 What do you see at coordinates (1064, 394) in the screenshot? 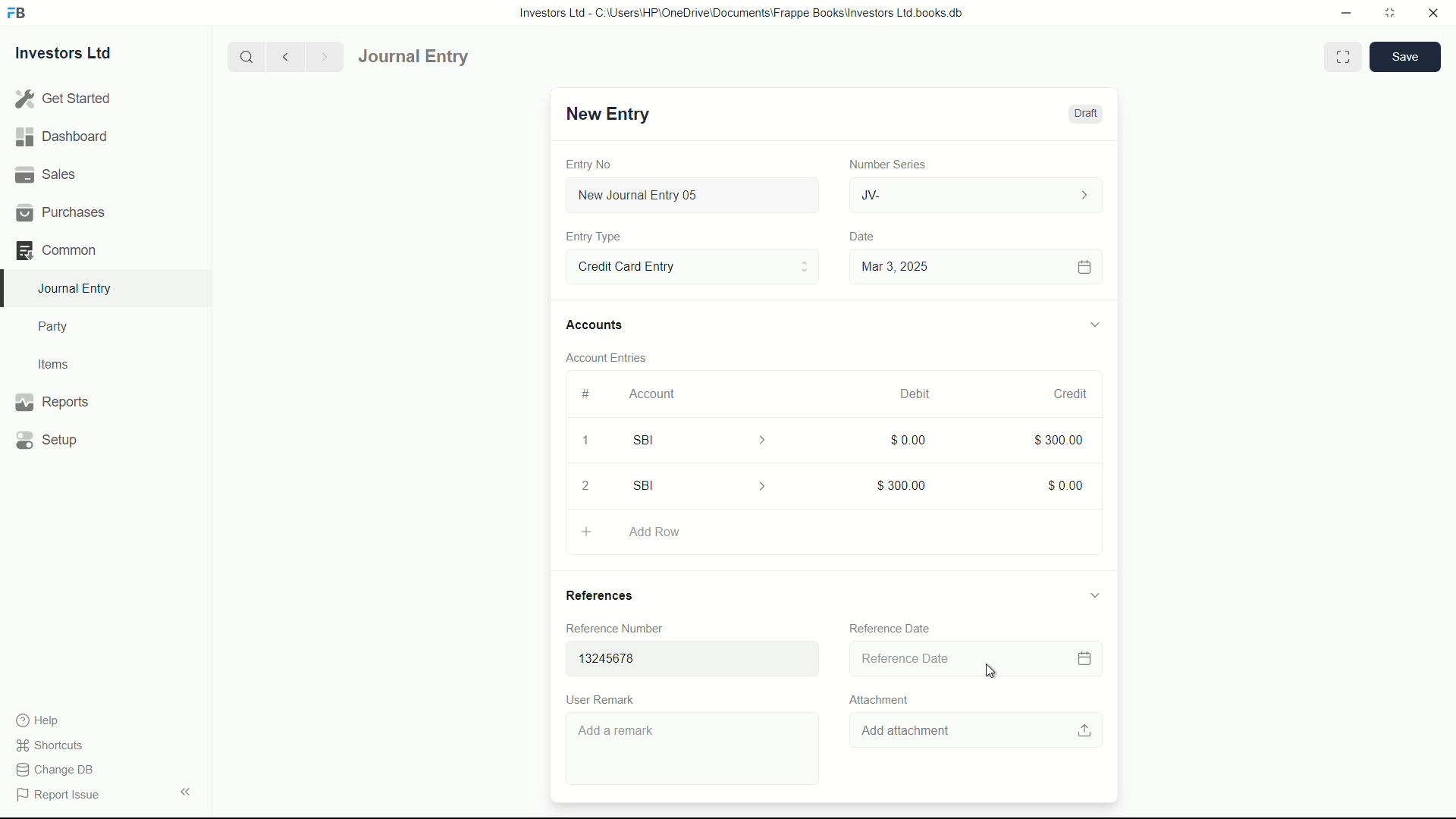
I see `Credit` at bounding box center [1064, 394].